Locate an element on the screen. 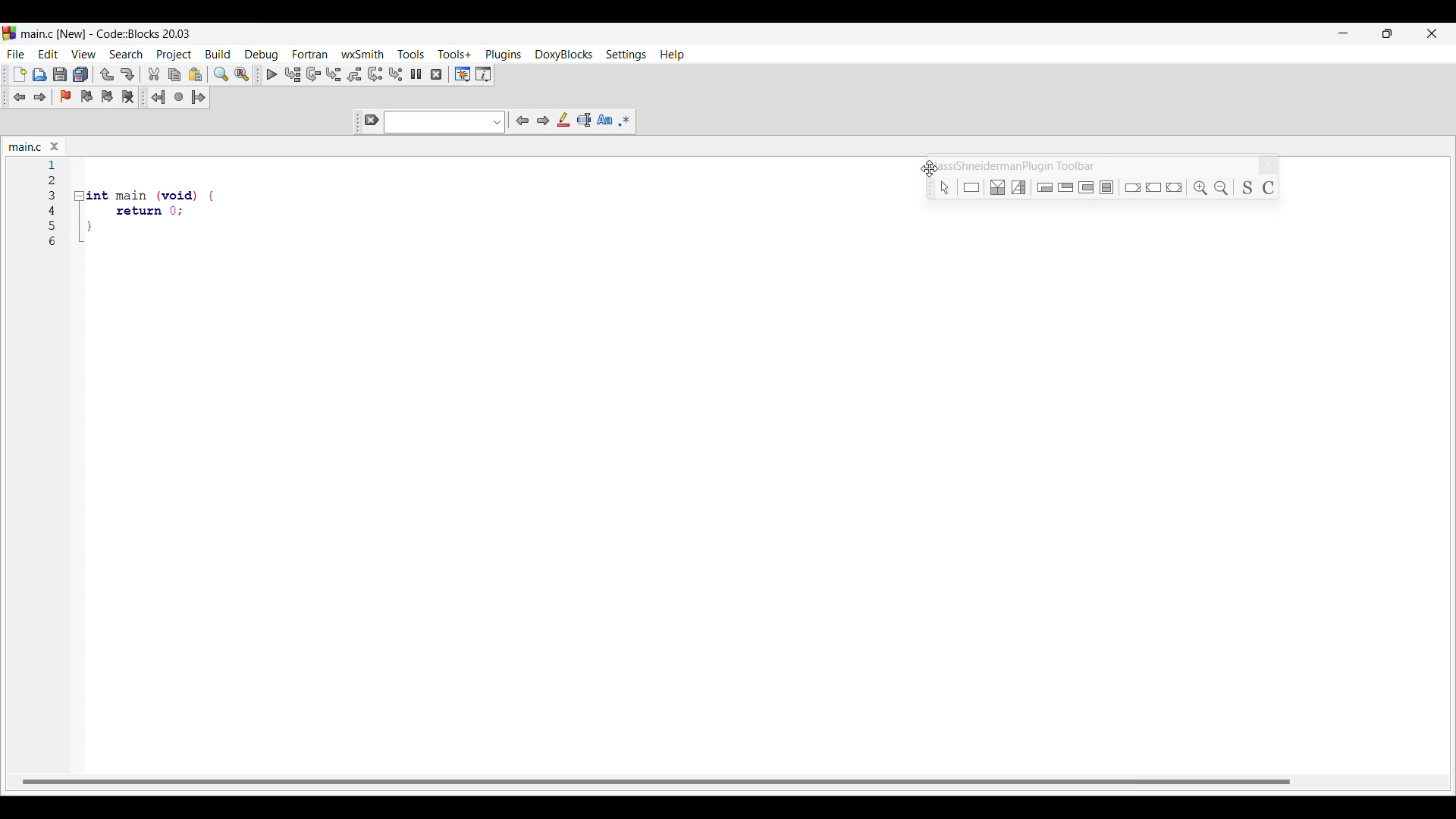  Replace is located at coordinates (242, 74).